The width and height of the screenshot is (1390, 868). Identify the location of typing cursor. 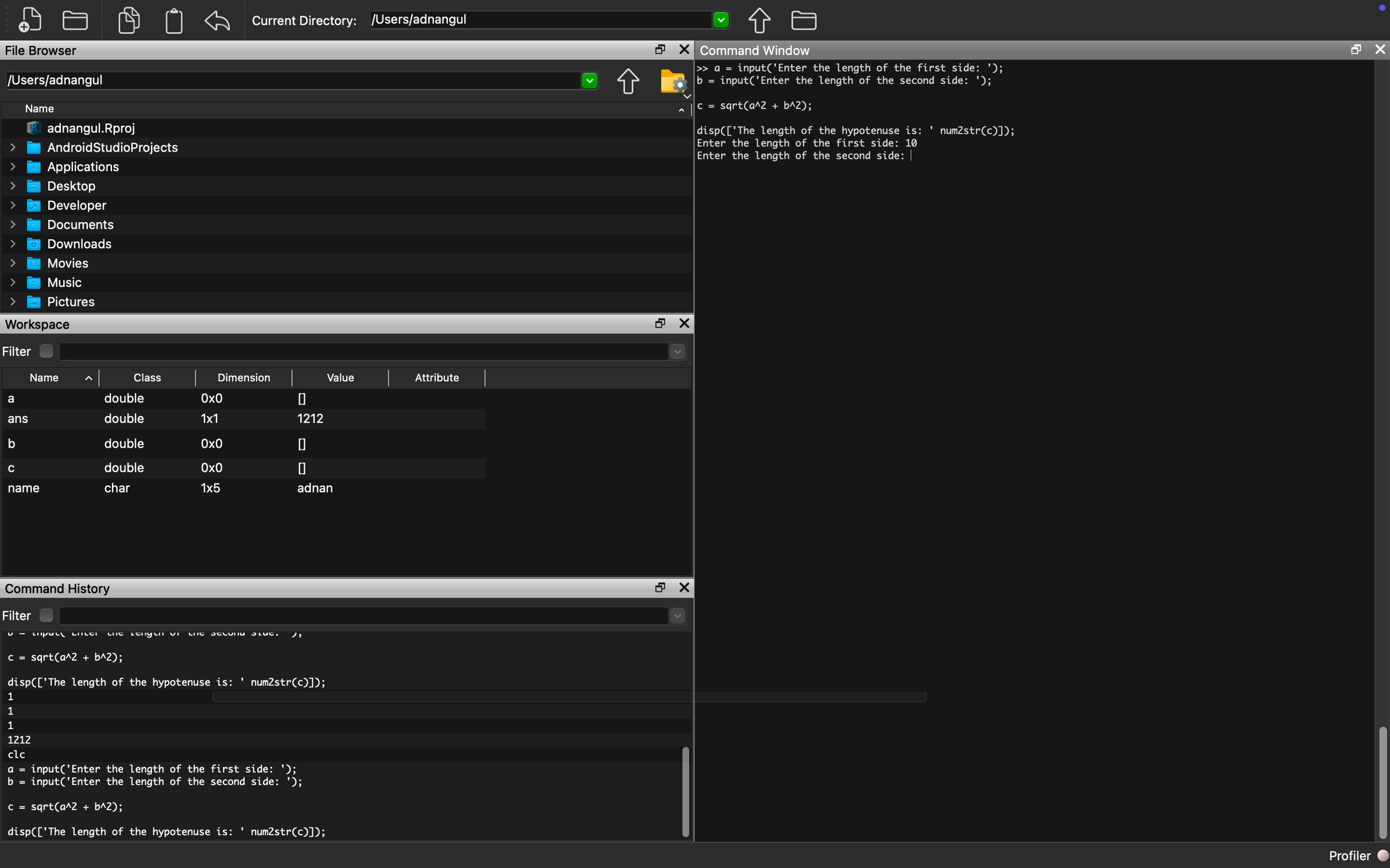
(916, 158).